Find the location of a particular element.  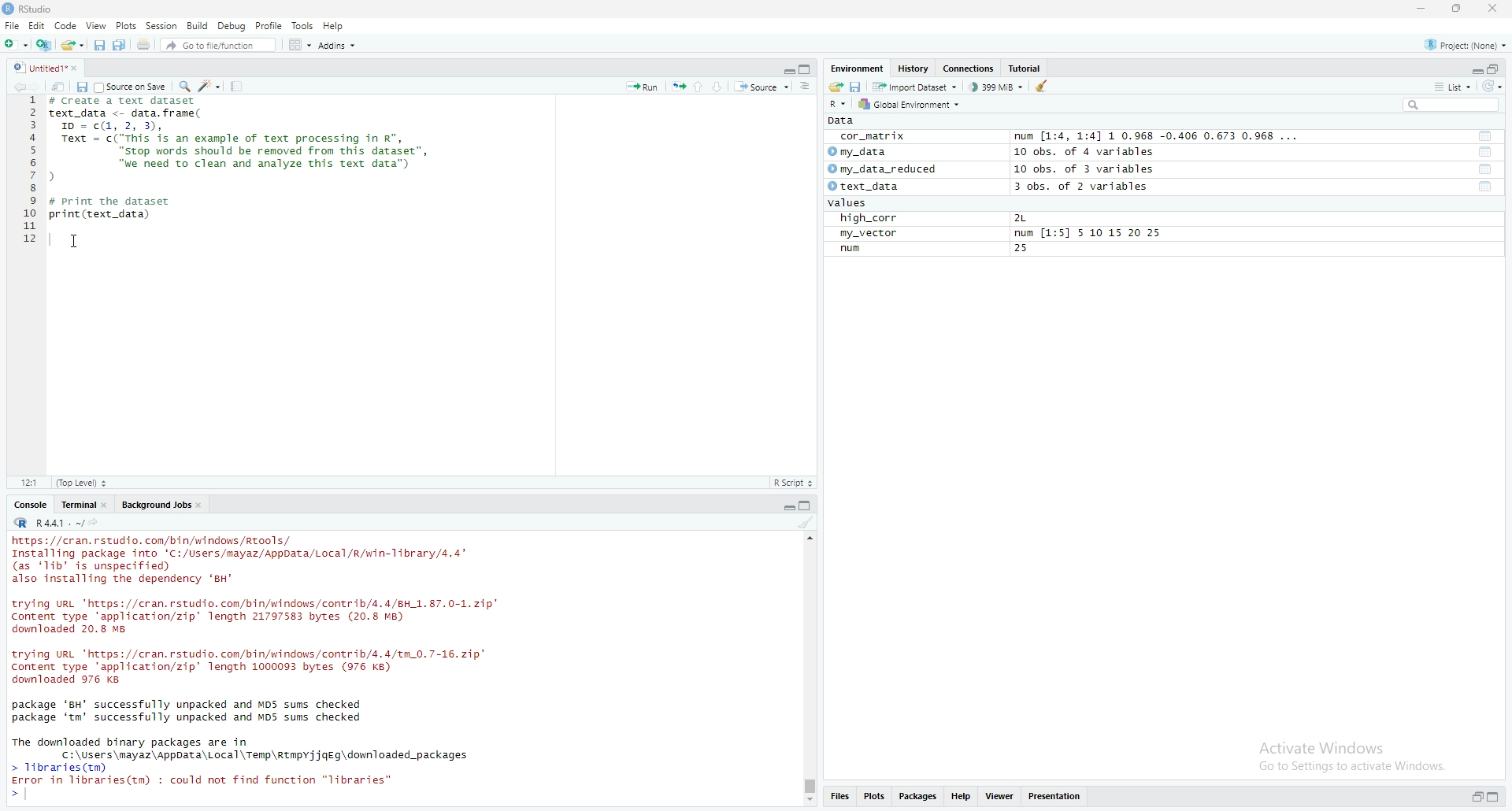

search is located at coordinates (1453, 105).